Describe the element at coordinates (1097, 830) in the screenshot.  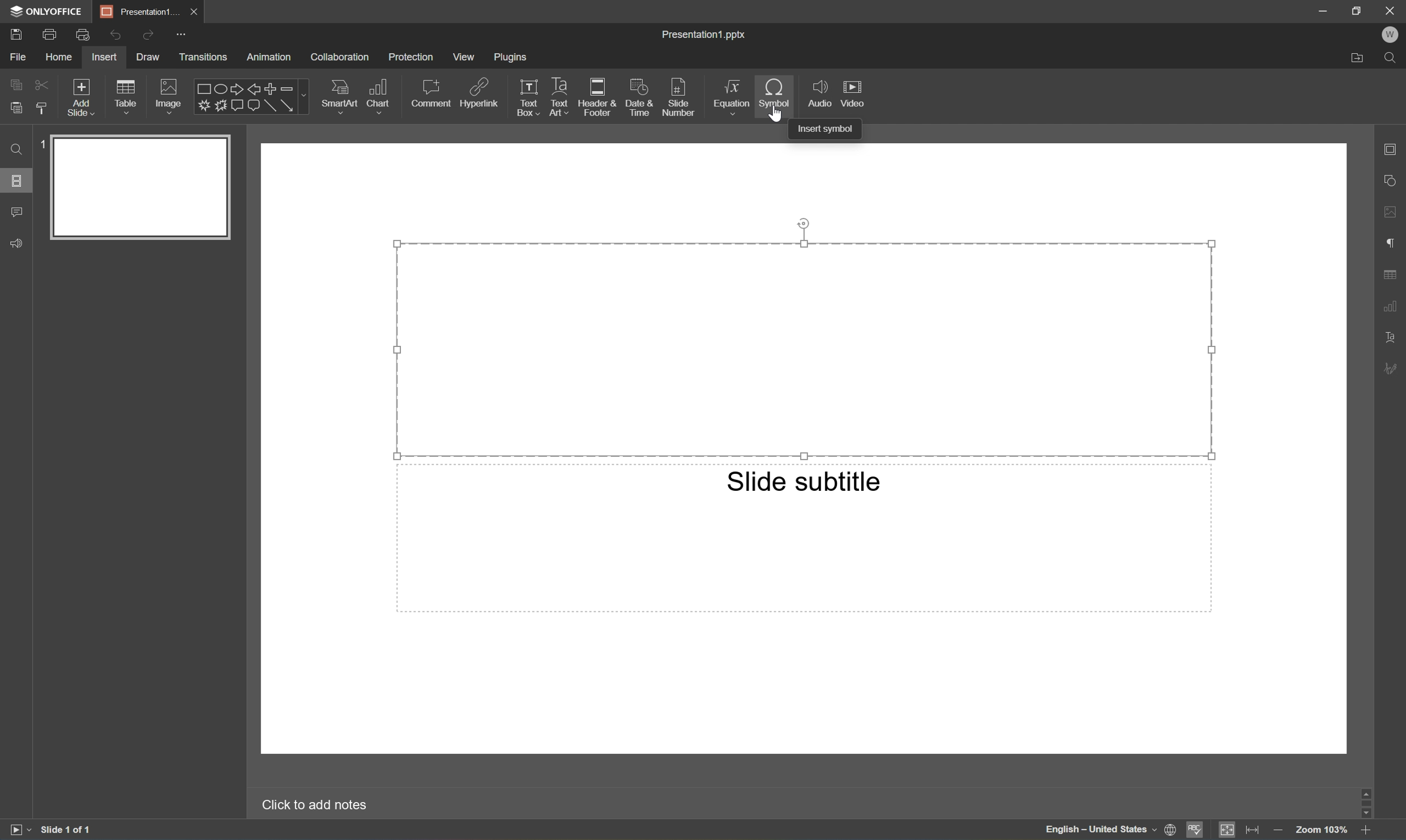
I see `English - United States` at that location.